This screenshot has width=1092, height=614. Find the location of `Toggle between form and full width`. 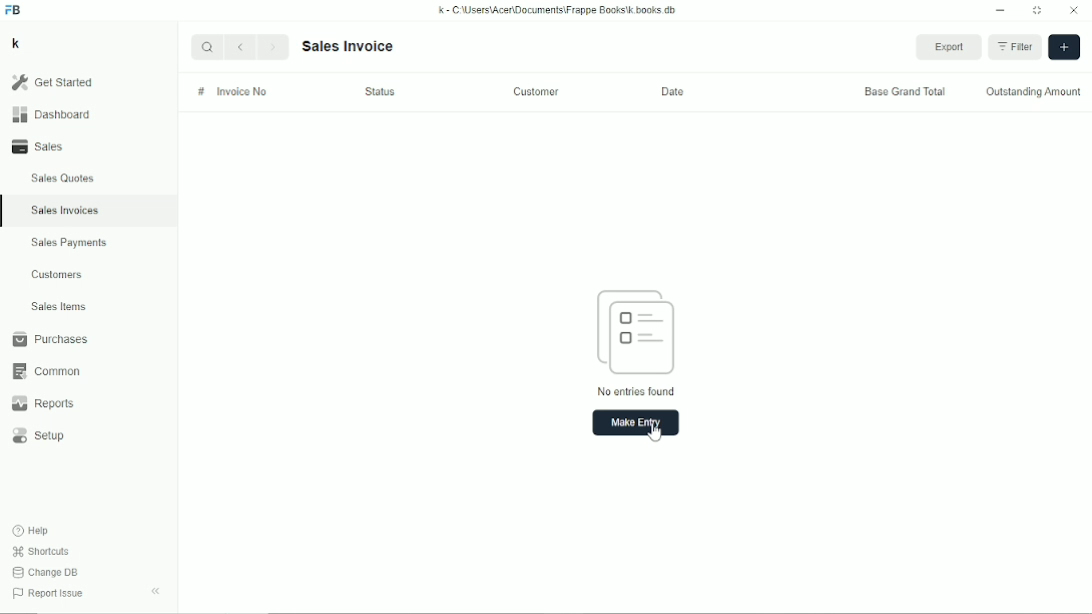

Toggle between form and full width is located at coordinates (1038, 11).